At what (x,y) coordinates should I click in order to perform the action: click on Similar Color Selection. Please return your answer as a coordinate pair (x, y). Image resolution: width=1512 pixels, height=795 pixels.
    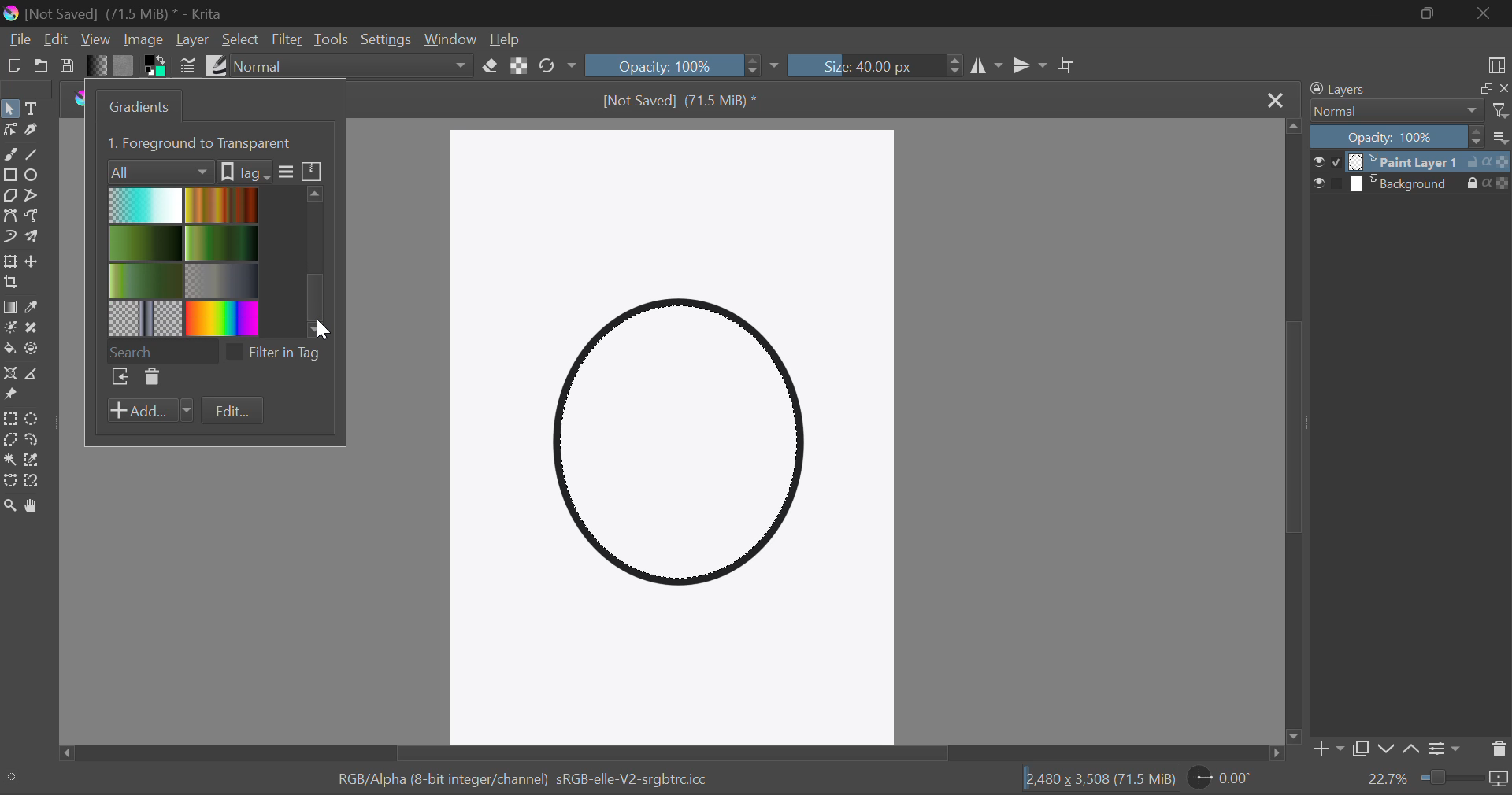
    Looking at the image, I should click on (39, 459).